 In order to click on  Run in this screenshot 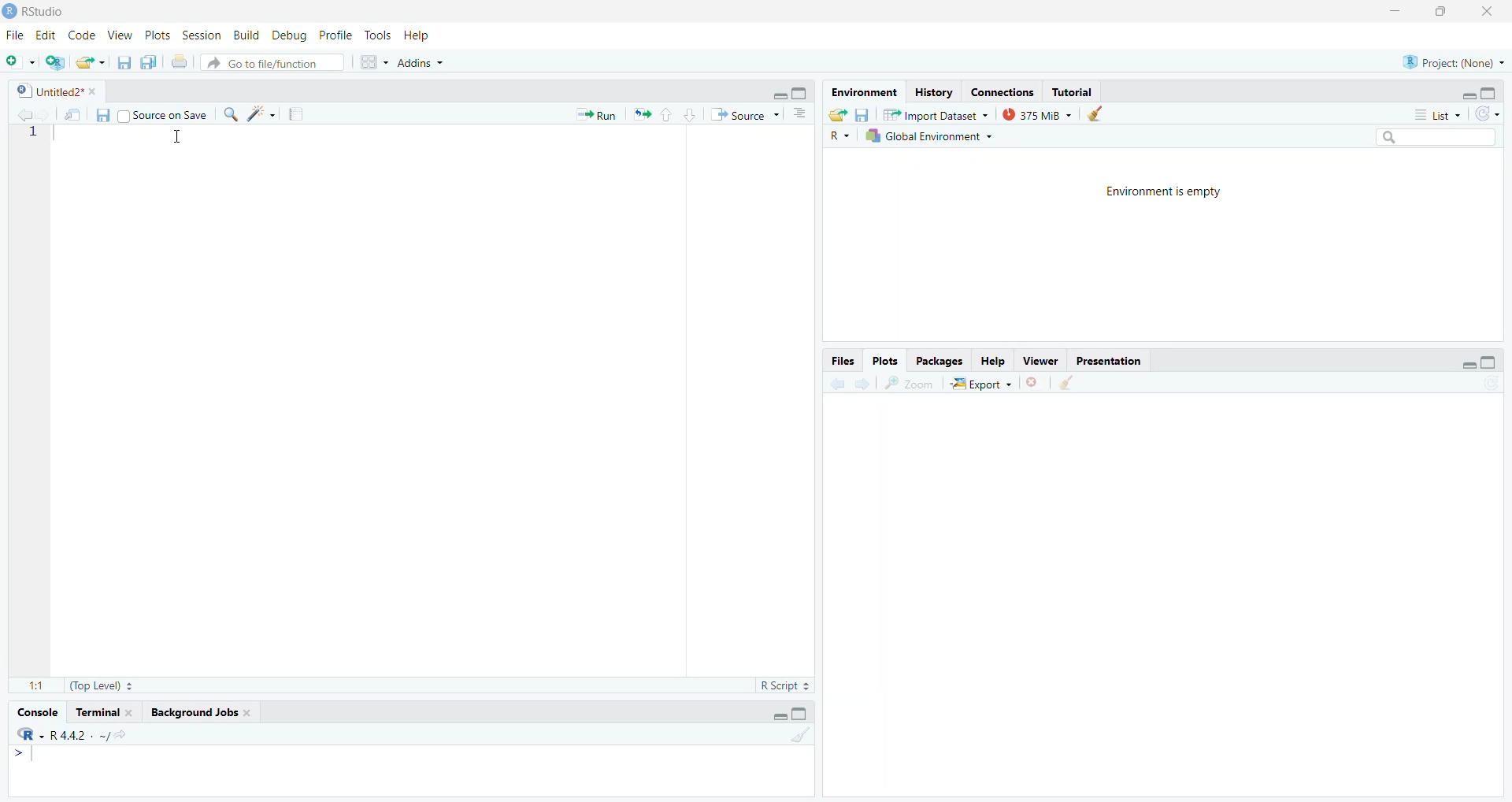, I will do `click(596, 117)`.